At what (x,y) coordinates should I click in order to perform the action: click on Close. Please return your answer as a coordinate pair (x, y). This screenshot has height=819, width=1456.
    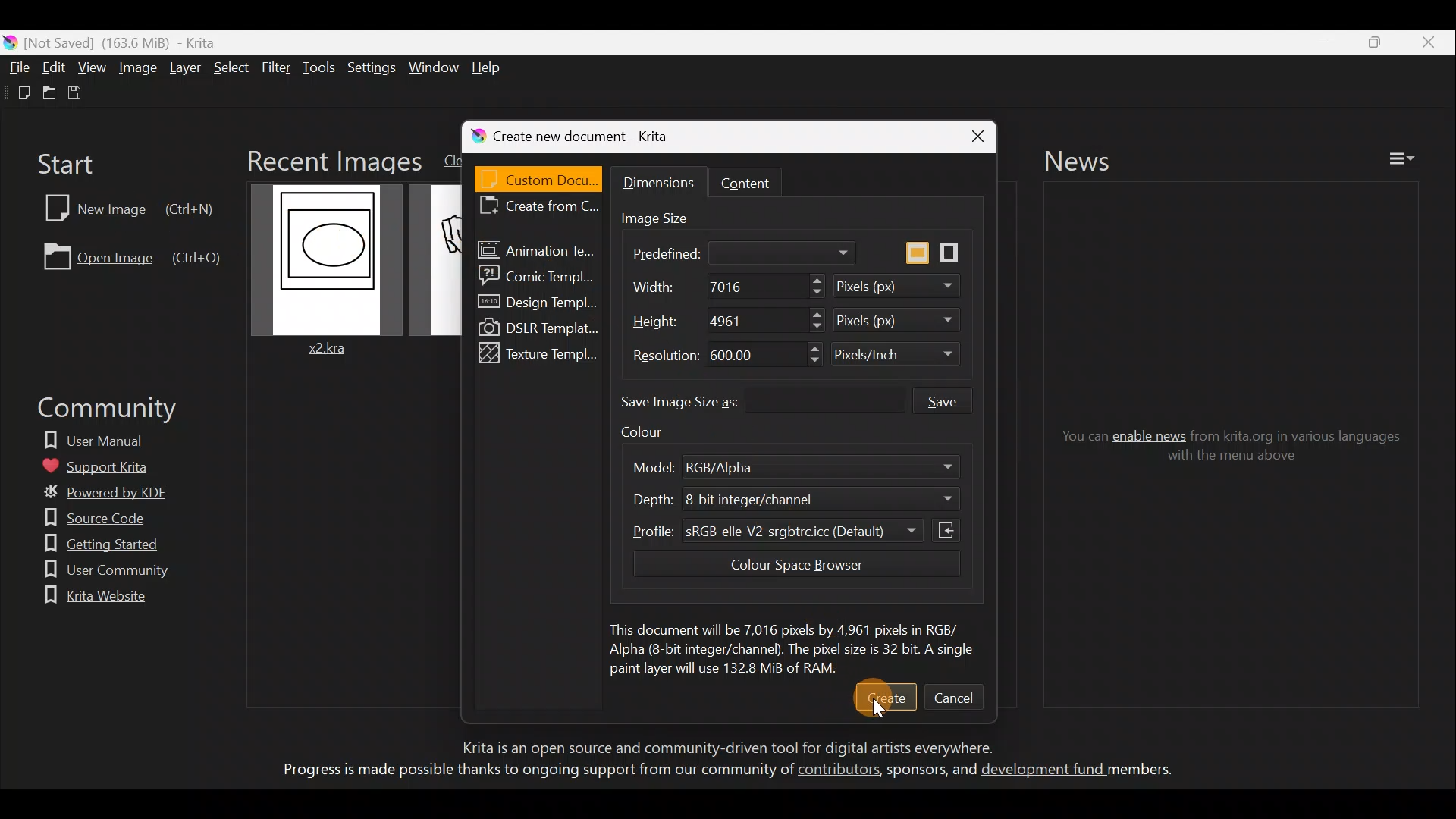
    Looking at the image, I should click on (1428, 42).